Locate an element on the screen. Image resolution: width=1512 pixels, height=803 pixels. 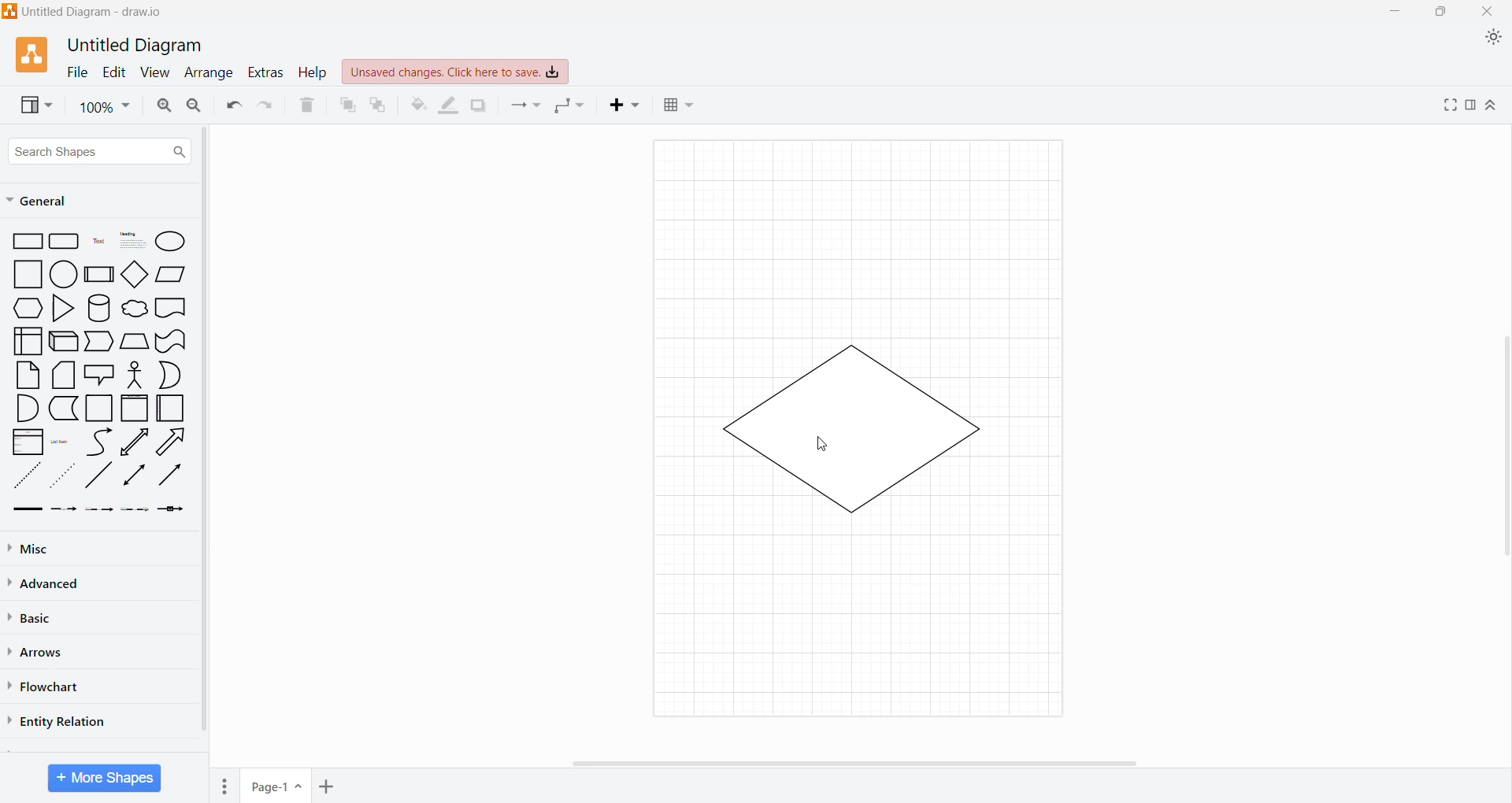
Process is located at coordinates (100, 273).